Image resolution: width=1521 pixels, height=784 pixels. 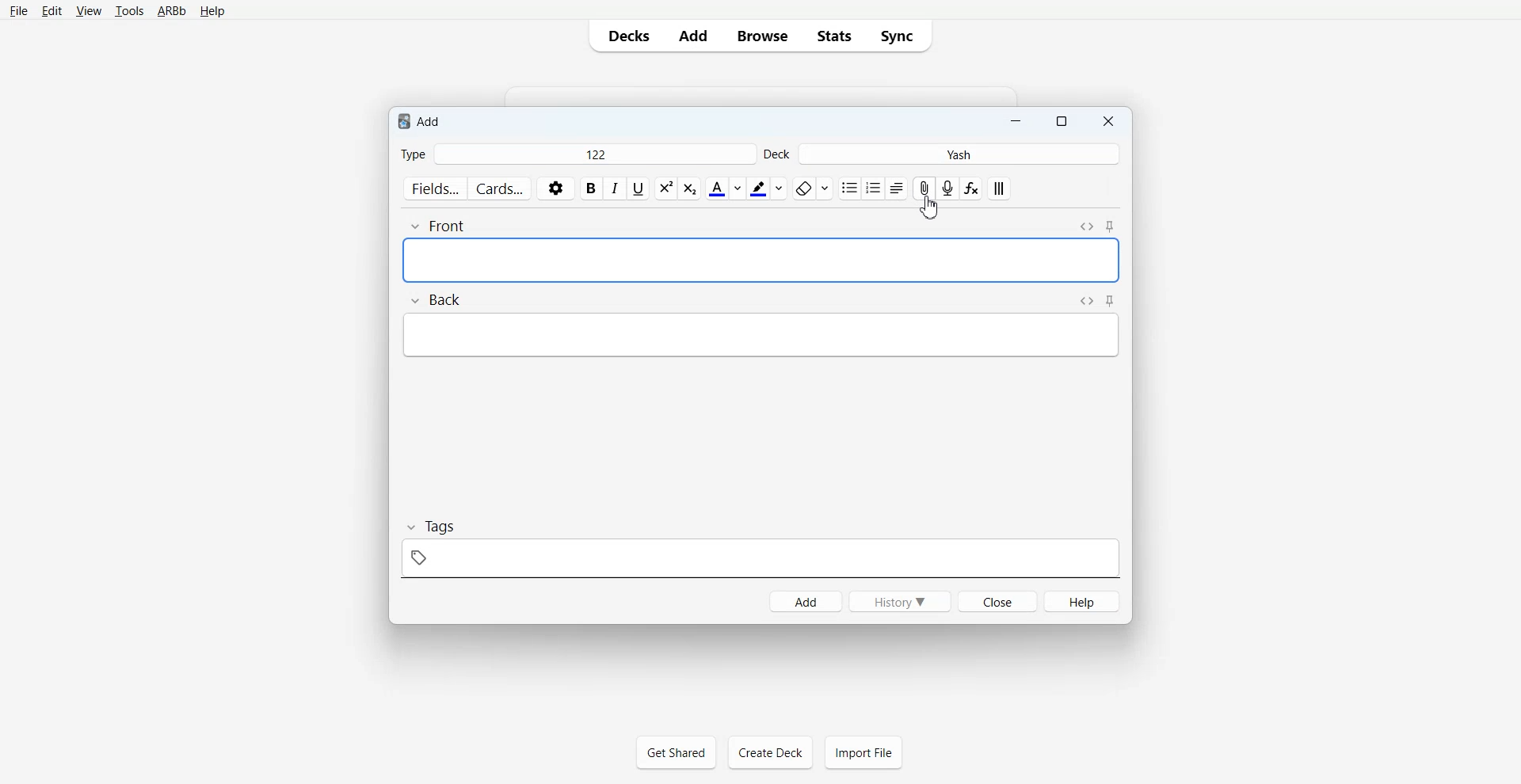 I want to click on Get Shared, so click(x=676, y=752).